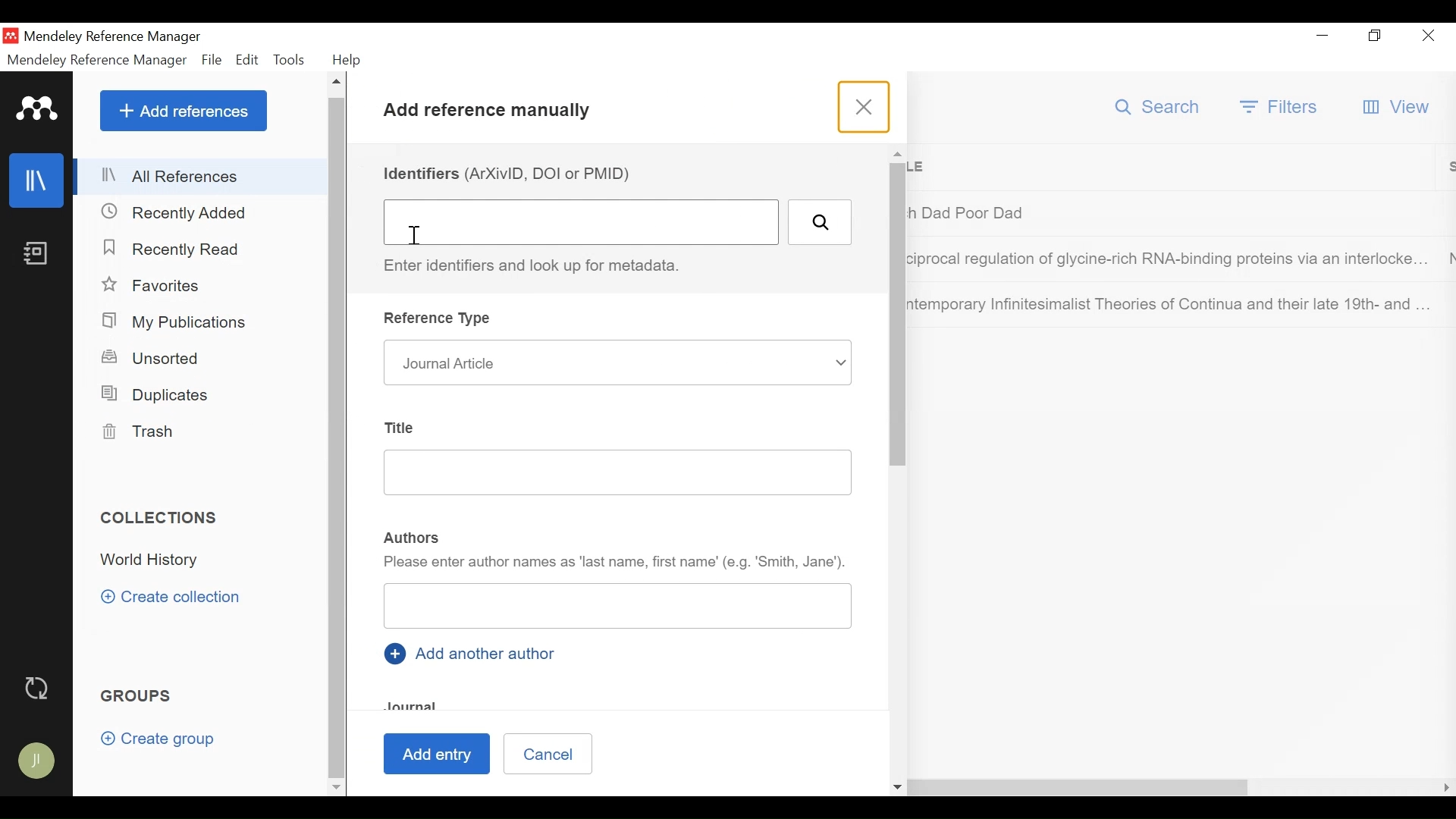 The height and width of the screenshot is (819, 1456). Describe the element at coordinates (899, 315) in the screenshot. I see `Vertical Scroll Bar` at that location.